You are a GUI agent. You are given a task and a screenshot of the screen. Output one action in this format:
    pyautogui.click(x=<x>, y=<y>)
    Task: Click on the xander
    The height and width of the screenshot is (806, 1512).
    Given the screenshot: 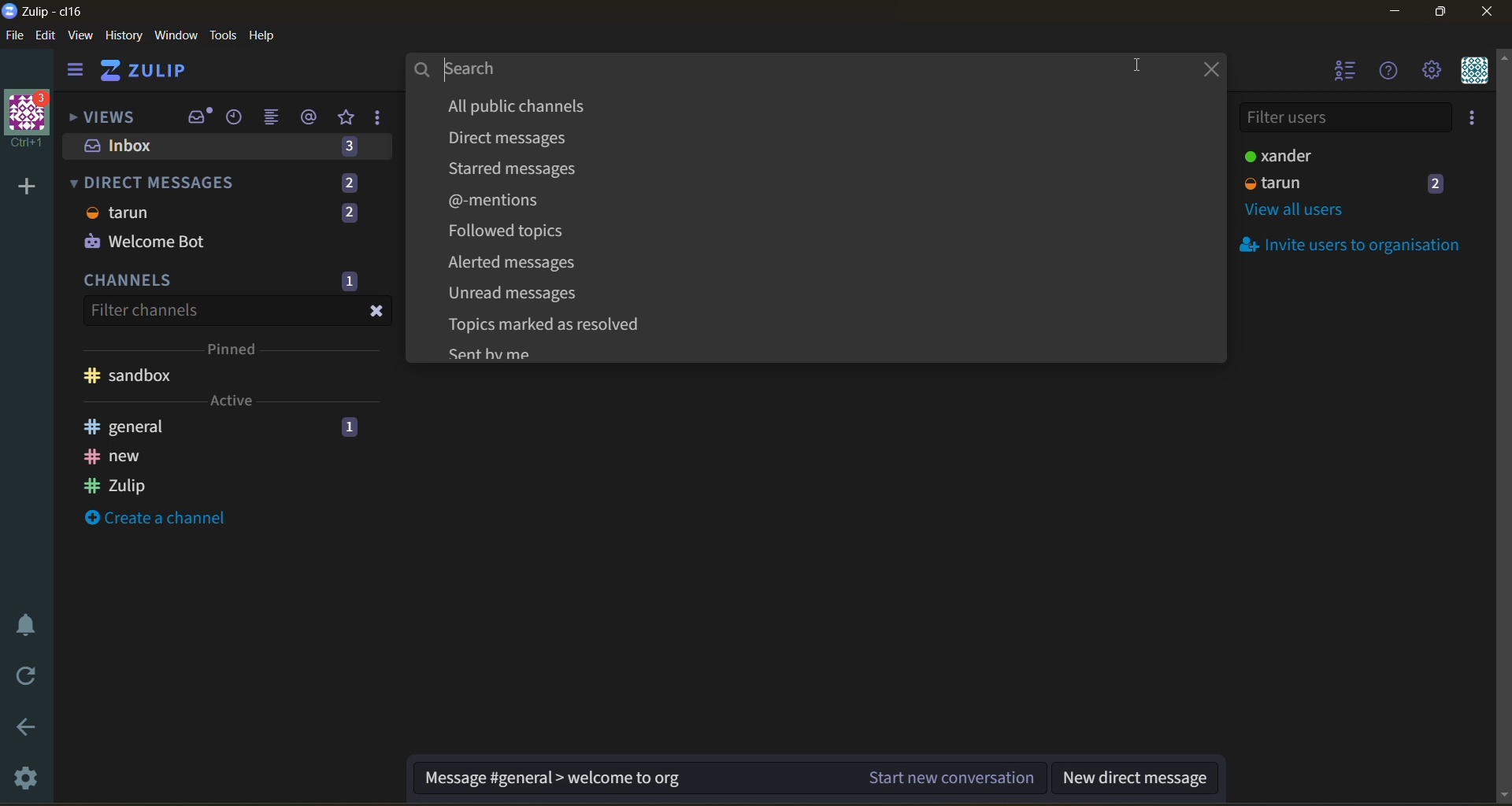 What is the action you would take?
    pyautogui.click(x=1275, y=155)
    